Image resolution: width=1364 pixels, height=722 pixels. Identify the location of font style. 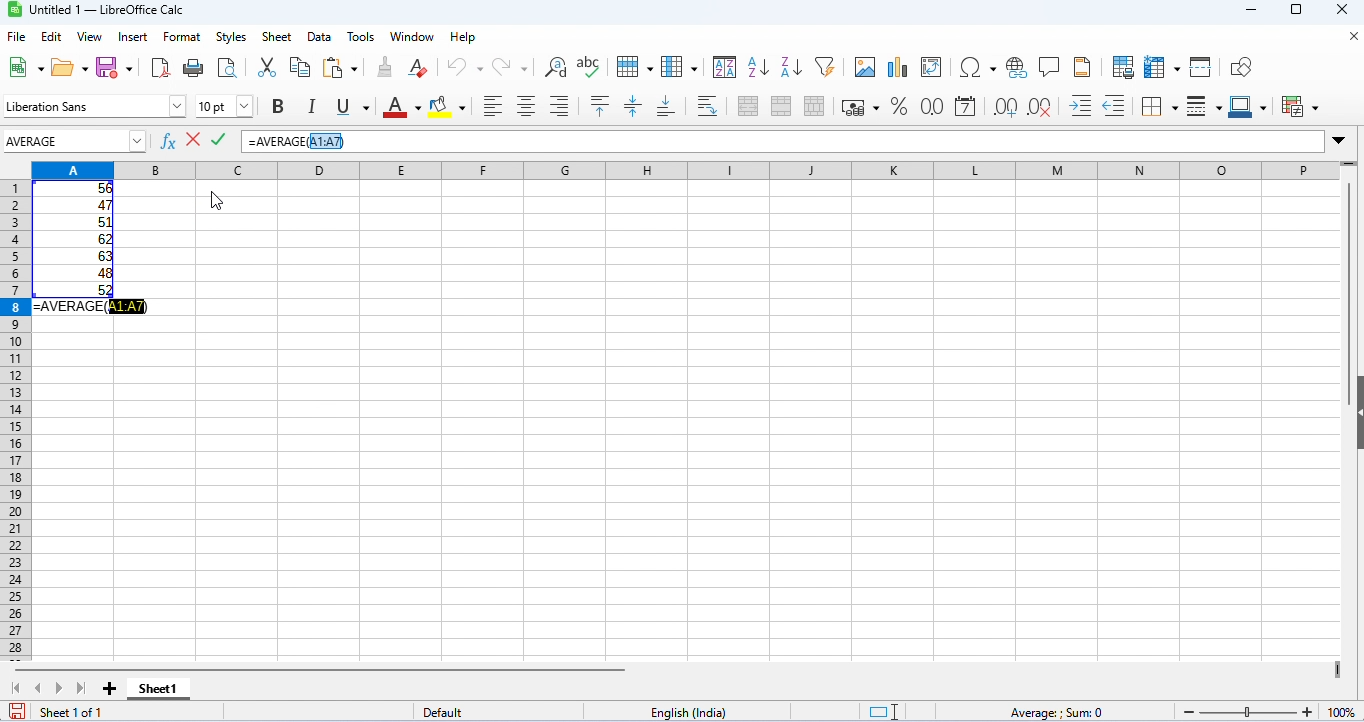
(95, 106).